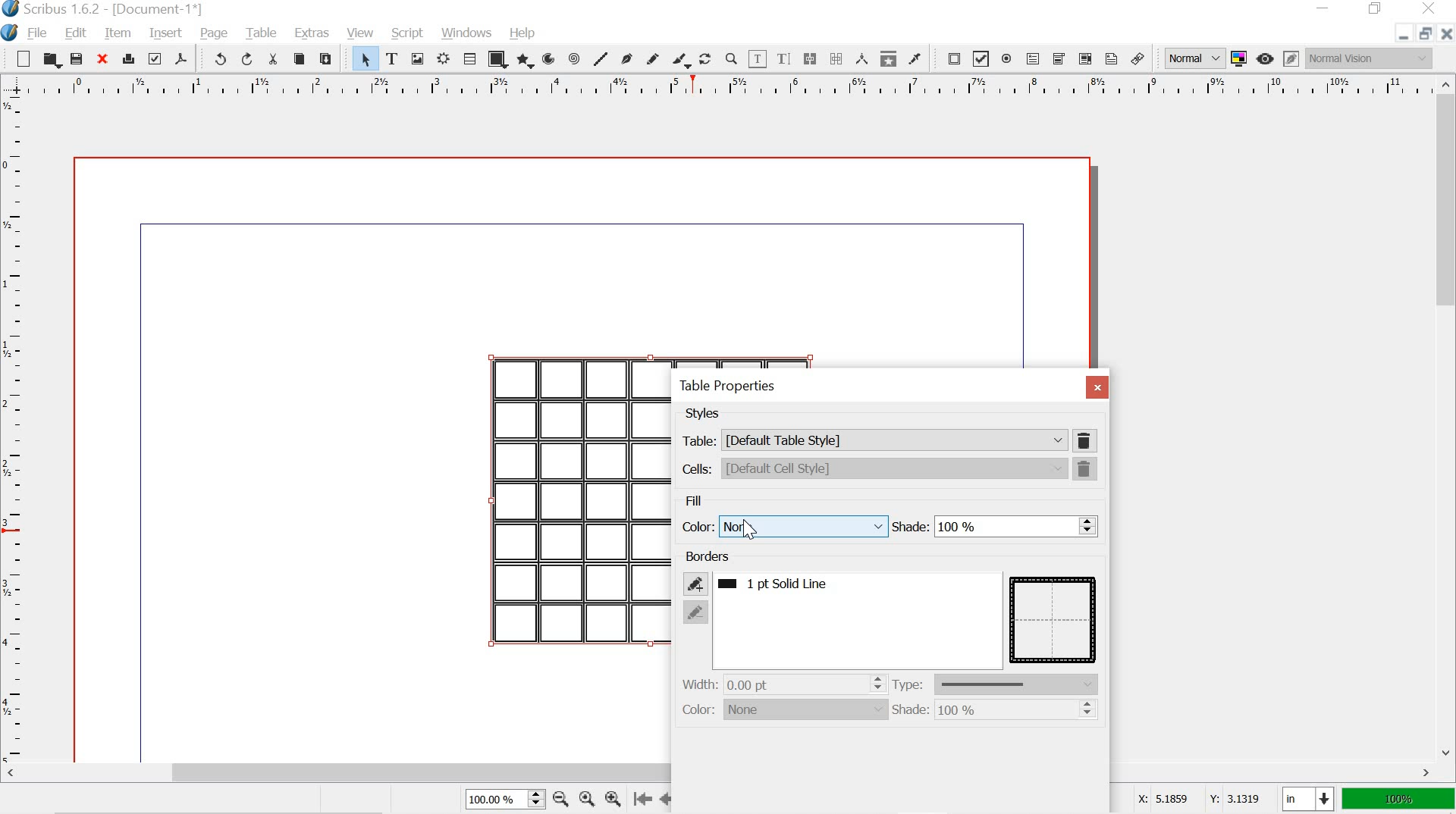  Describe the element at coordinates (1088, 711) in the screenshot. I see `shade change` at that location.